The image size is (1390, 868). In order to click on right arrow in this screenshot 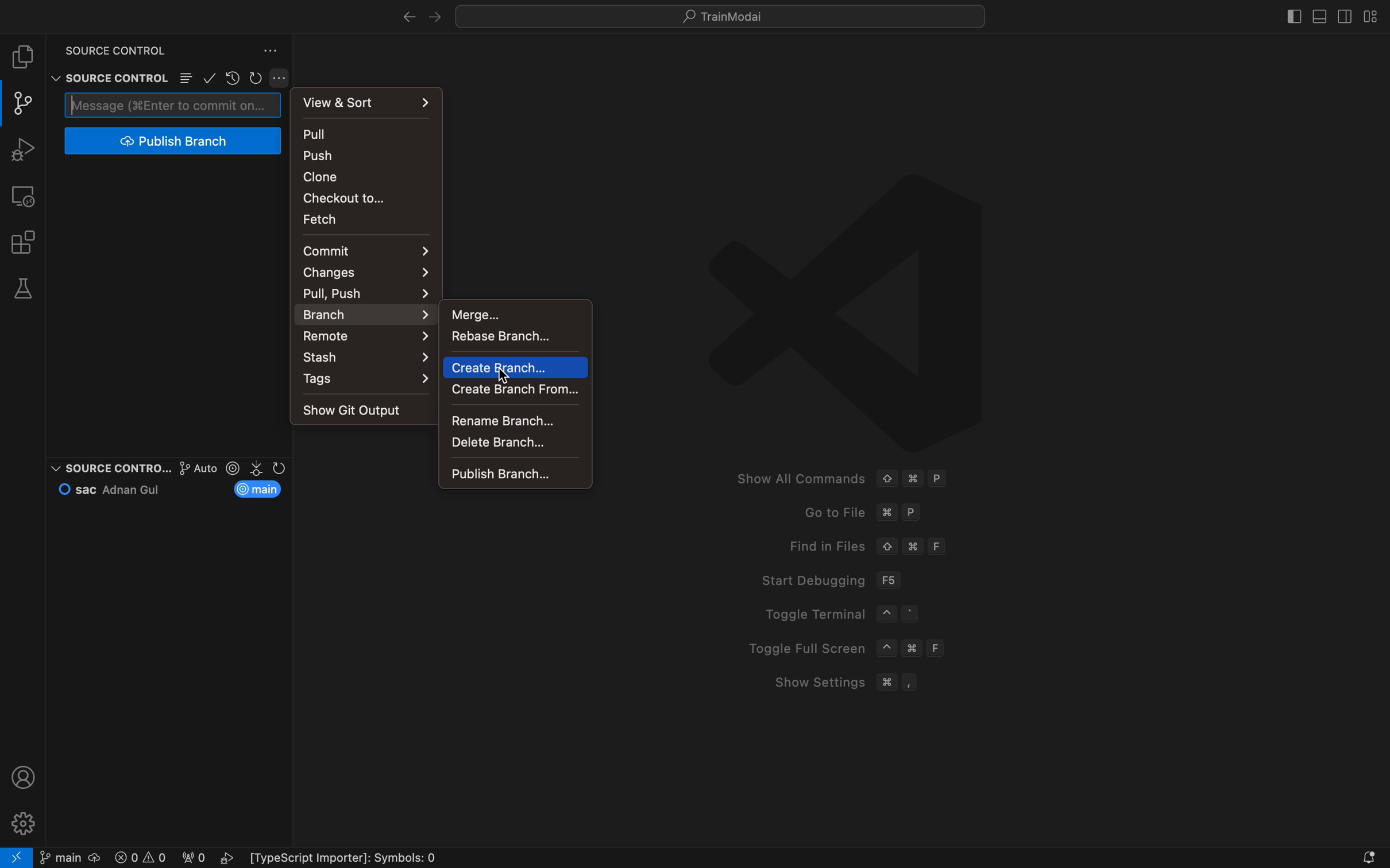, I will do `click(407, 13)`.